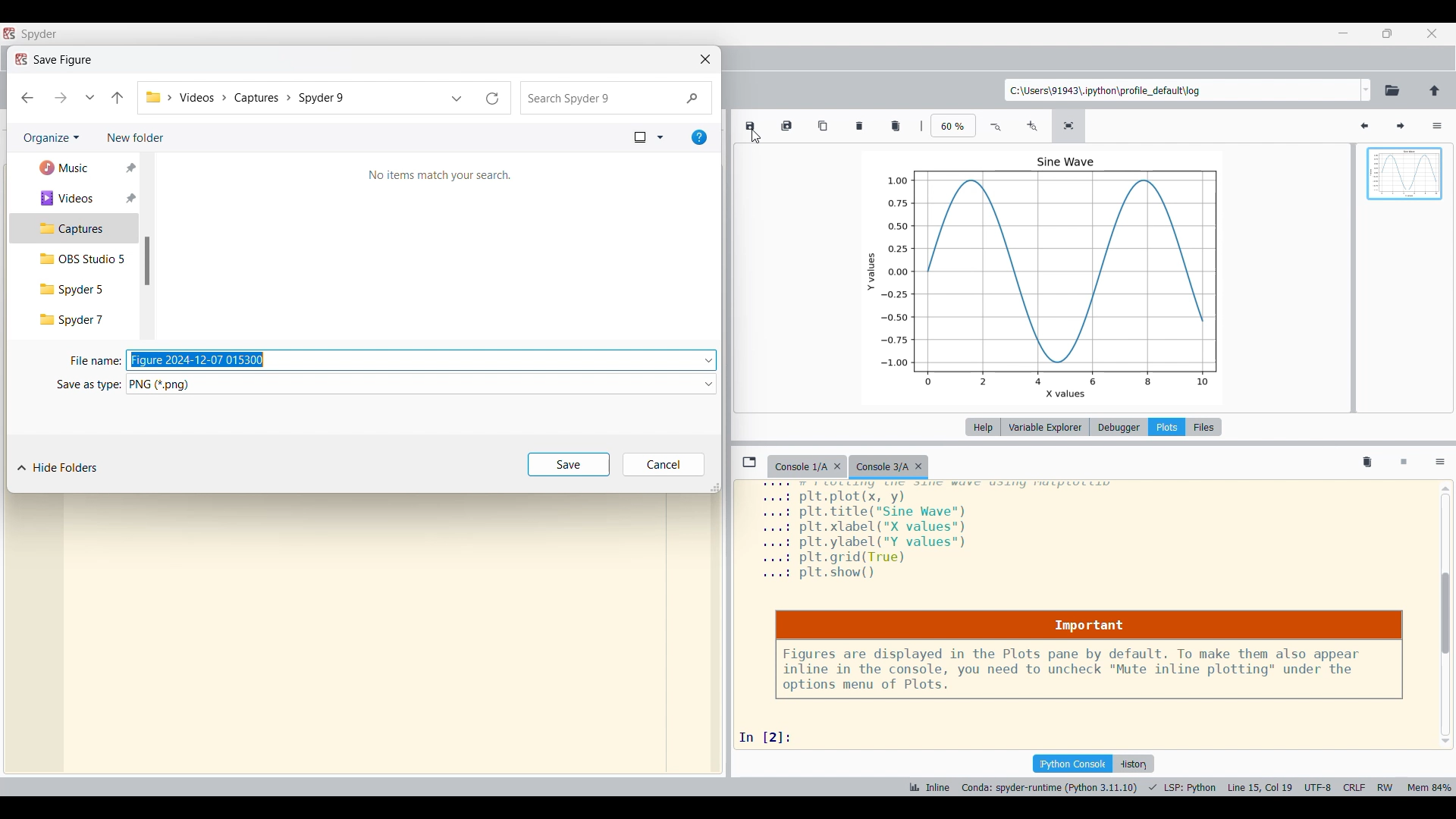  What do you see at coordinates (1364, 127) in the screenshot?
I see `Previous plot` at bounding box center [1364, 127].